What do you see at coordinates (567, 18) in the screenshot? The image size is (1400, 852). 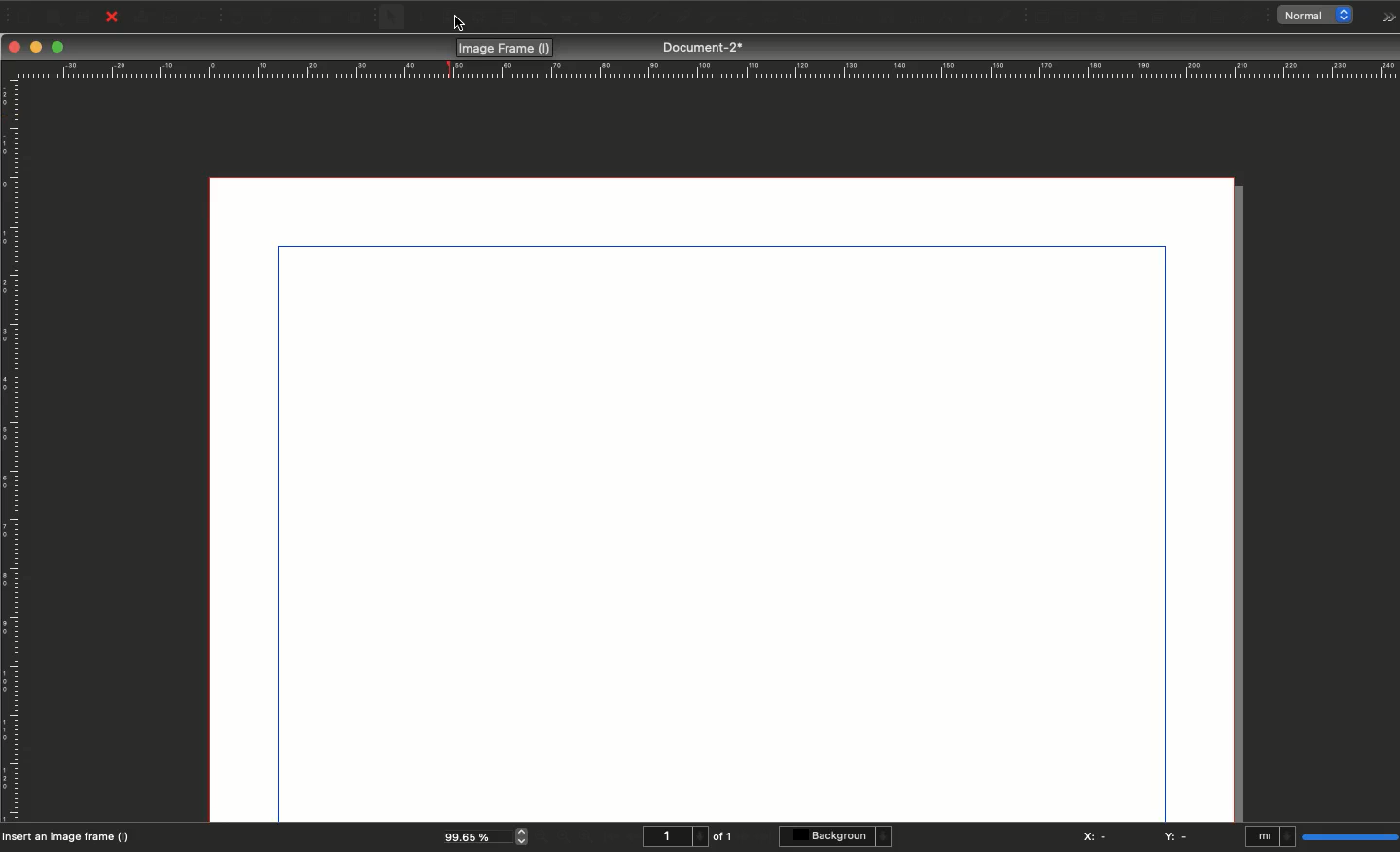 I see `Polygon` at bounding box center [567, 18].